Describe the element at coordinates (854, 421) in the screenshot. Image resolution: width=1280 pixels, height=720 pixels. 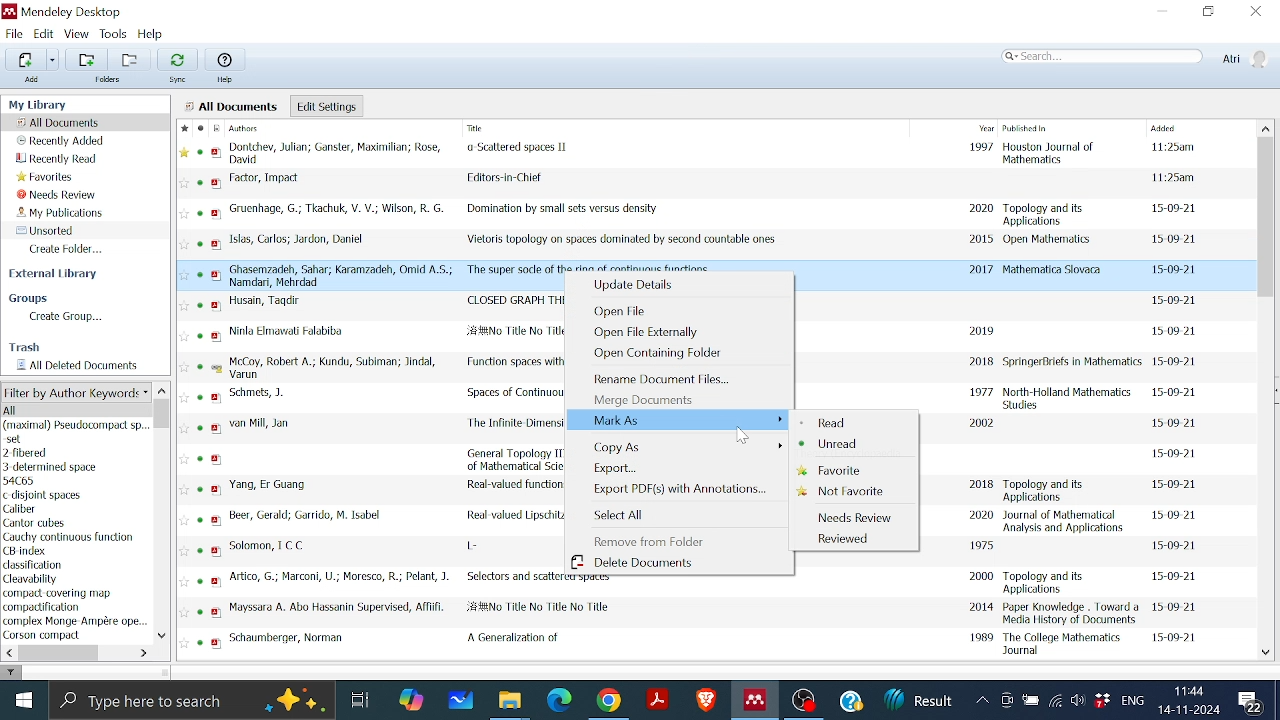
I see `Read` at that location.